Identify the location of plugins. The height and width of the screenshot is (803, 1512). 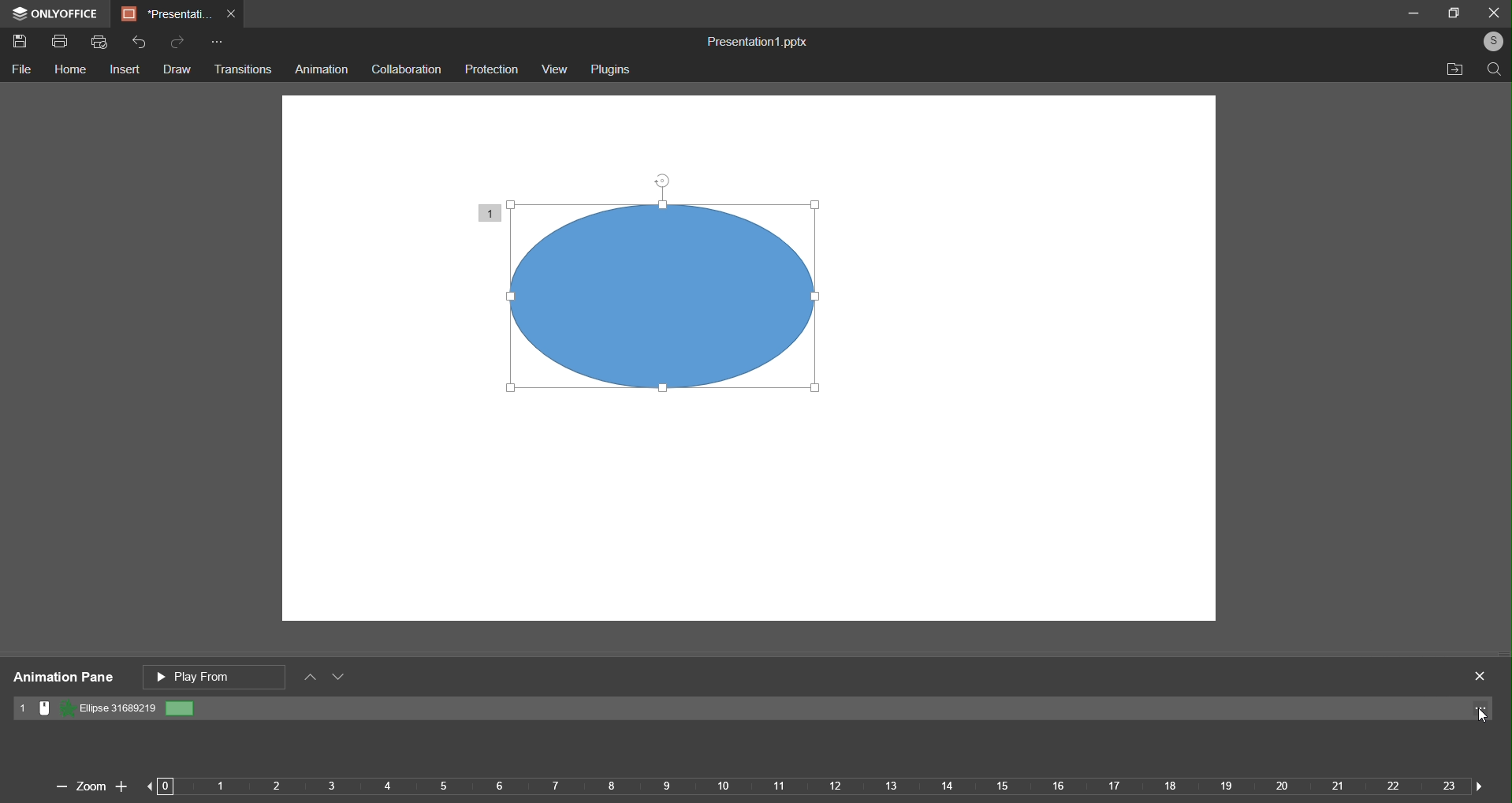
(609, 69).